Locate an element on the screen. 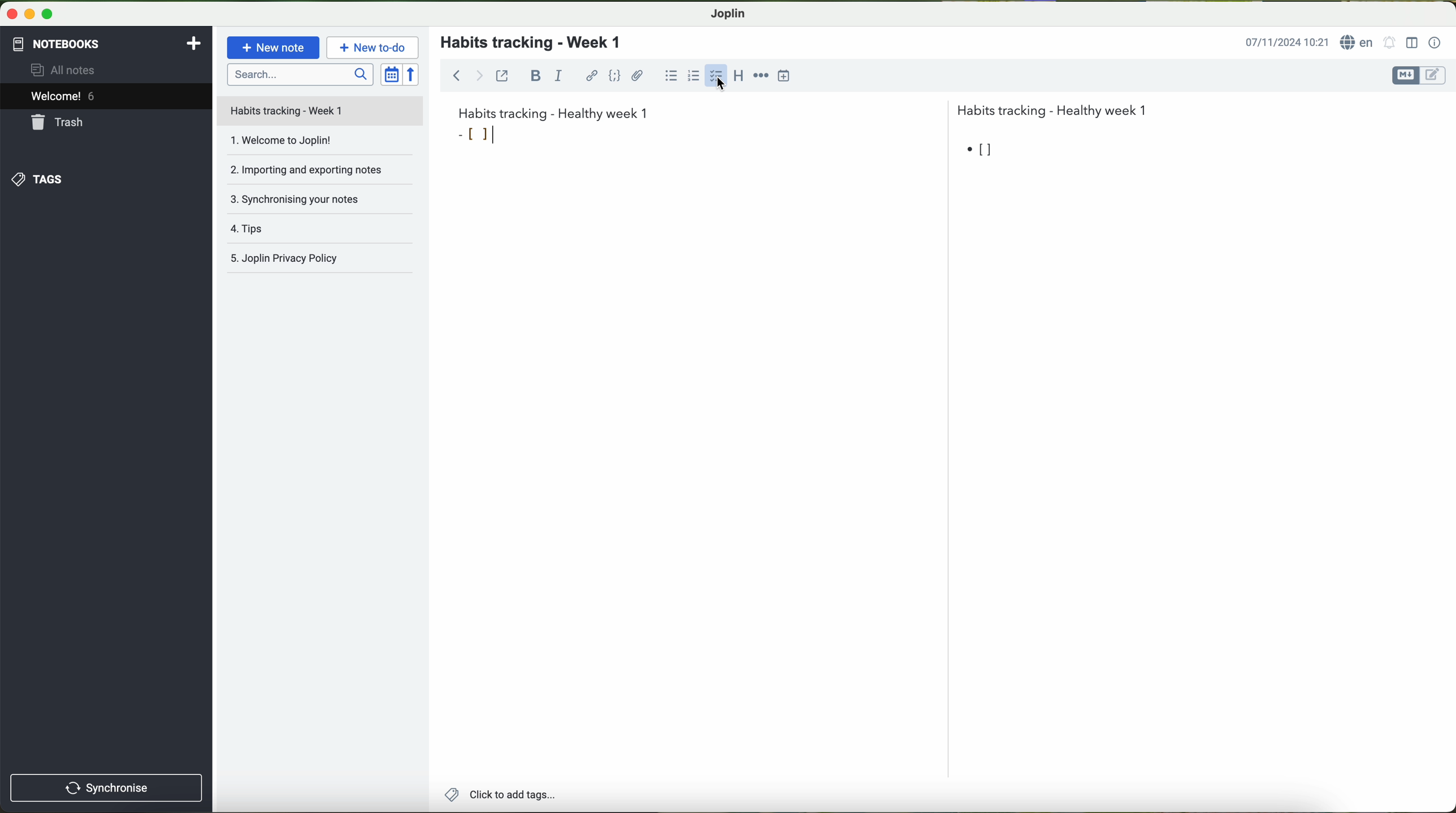  set alarm is located at coordinates (1390, 42).